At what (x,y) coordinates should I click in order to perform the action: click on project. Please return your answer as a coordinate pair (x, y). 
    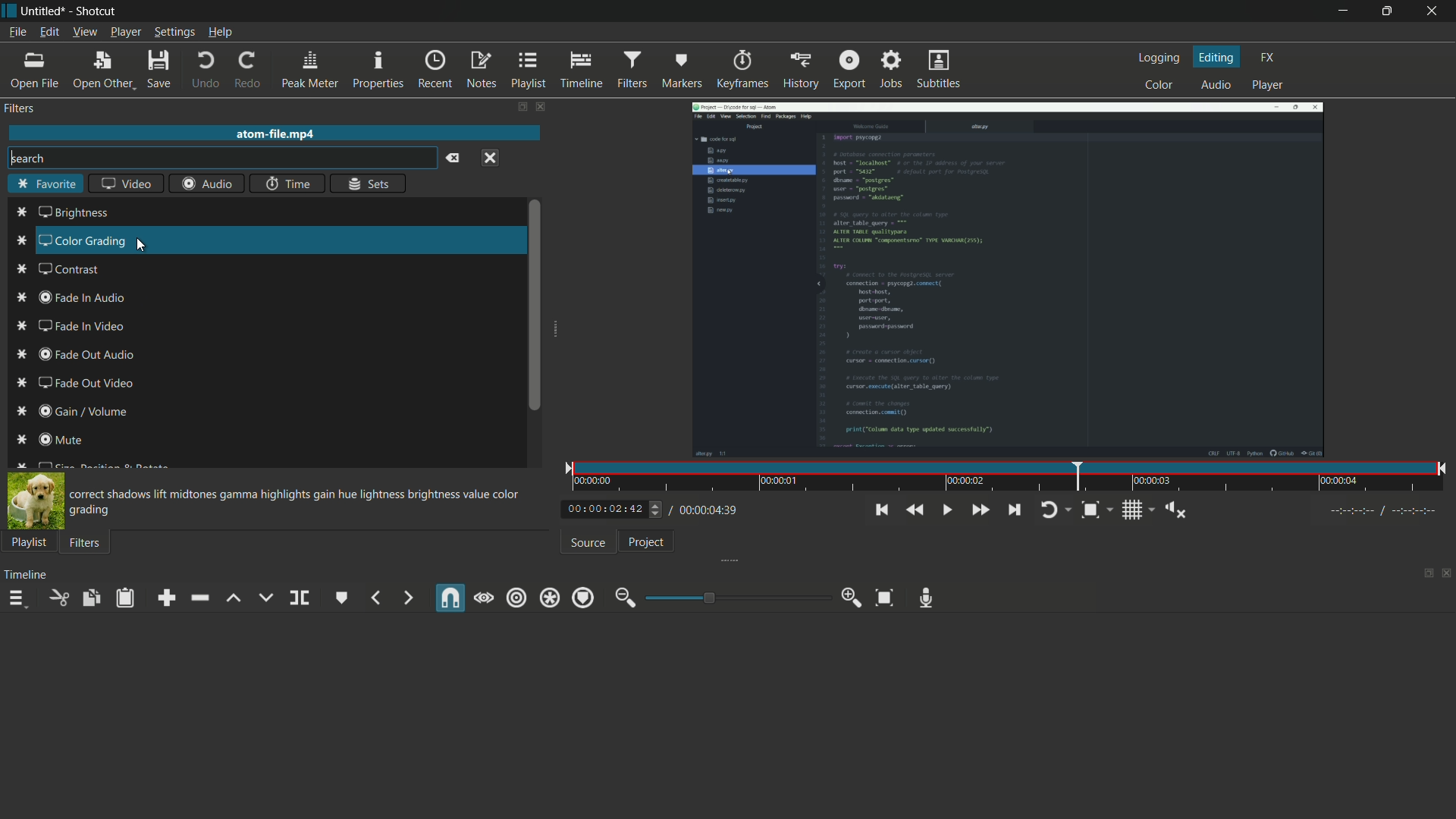
    Looking at the image, I should click on (645, 542).